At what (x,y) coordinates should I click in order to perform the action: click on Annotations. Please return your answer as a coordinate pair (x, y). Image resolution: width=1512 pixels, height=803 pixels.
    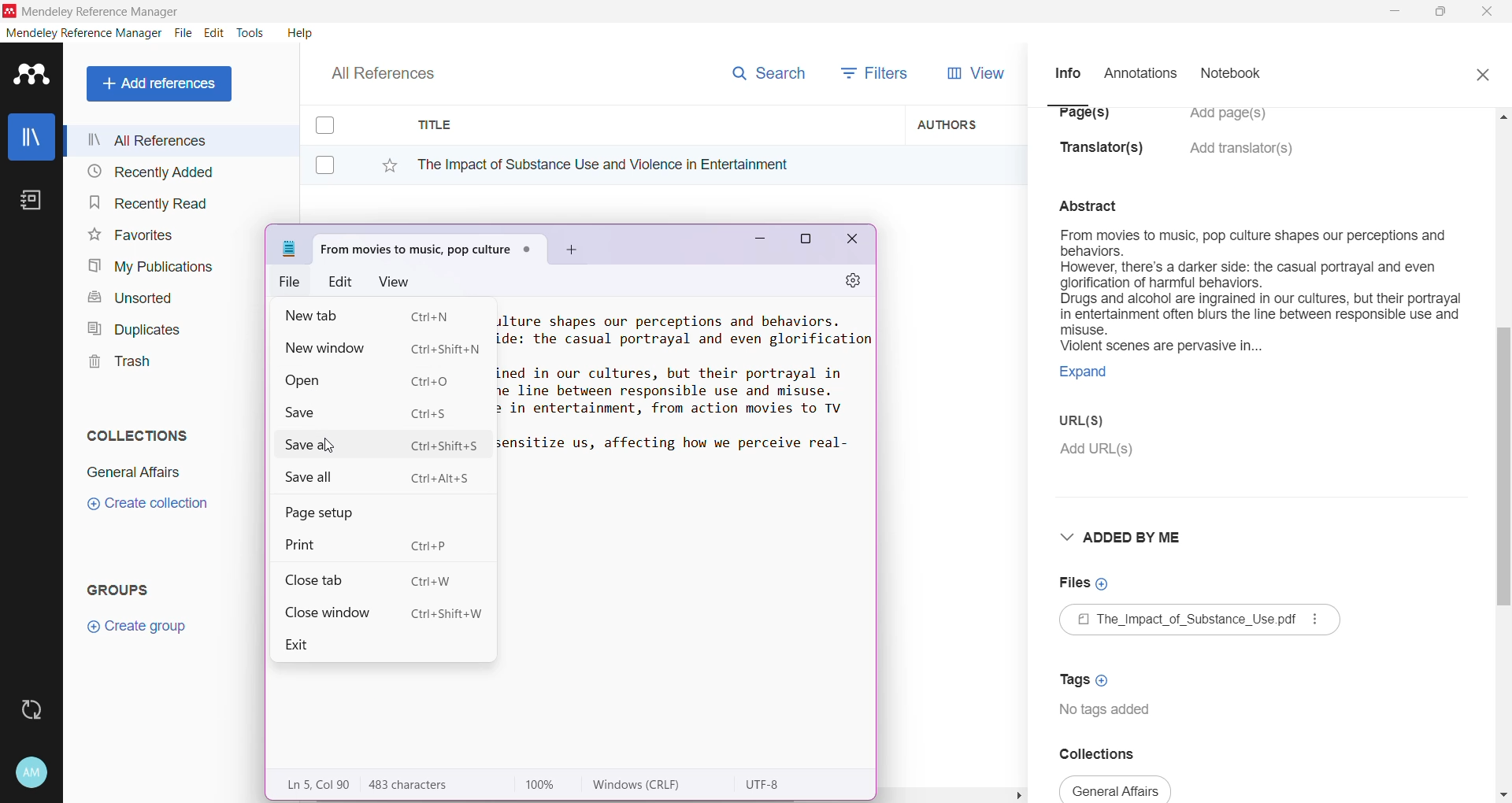
    Looking at the image, I should click on (1139, 74).